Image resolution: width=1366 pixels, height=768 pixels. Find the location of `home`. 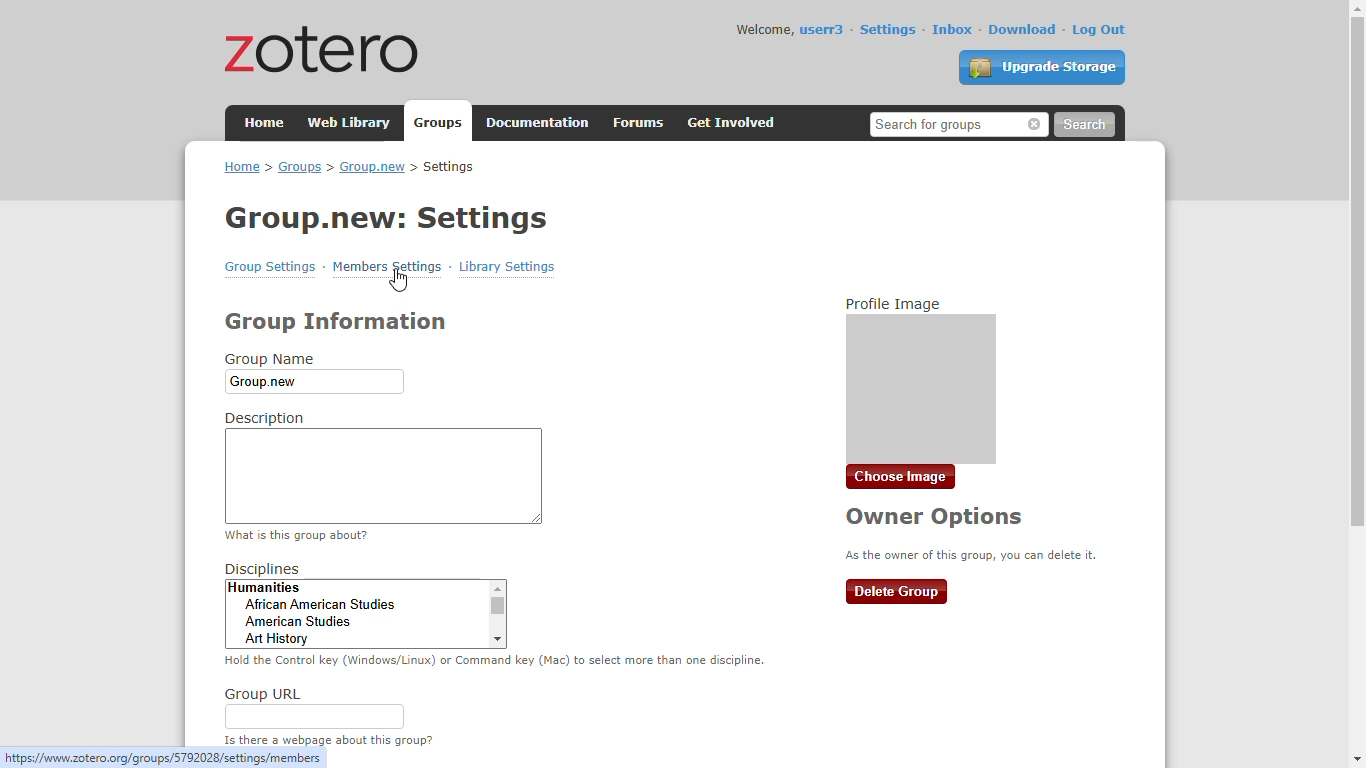

home is located at coordinates (265, 121).